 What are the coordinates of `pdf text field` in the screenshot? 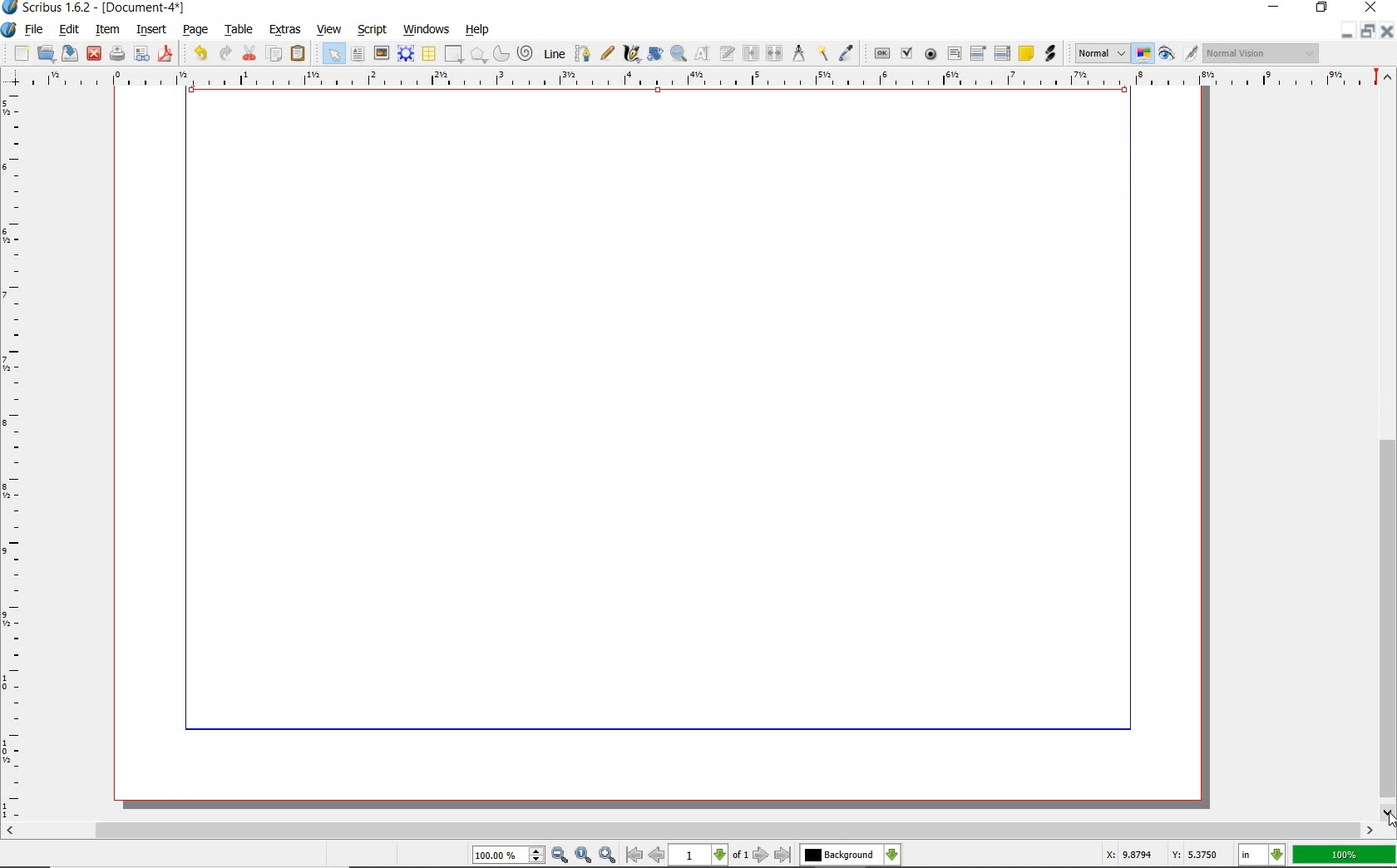 It's located at (954, 53).